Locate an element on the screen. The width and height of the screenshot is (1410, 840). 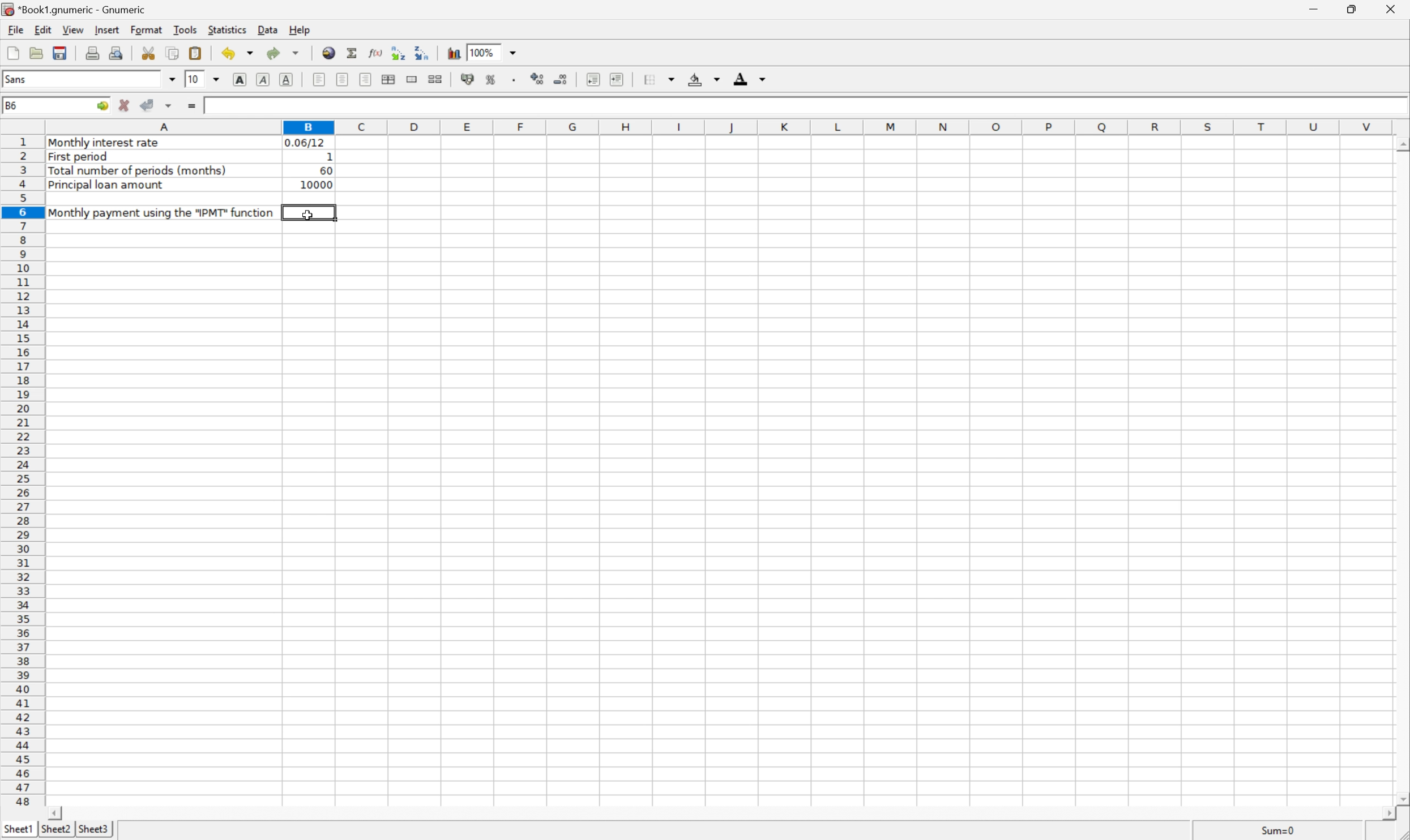
Borders is located at coordinates (657, 79).